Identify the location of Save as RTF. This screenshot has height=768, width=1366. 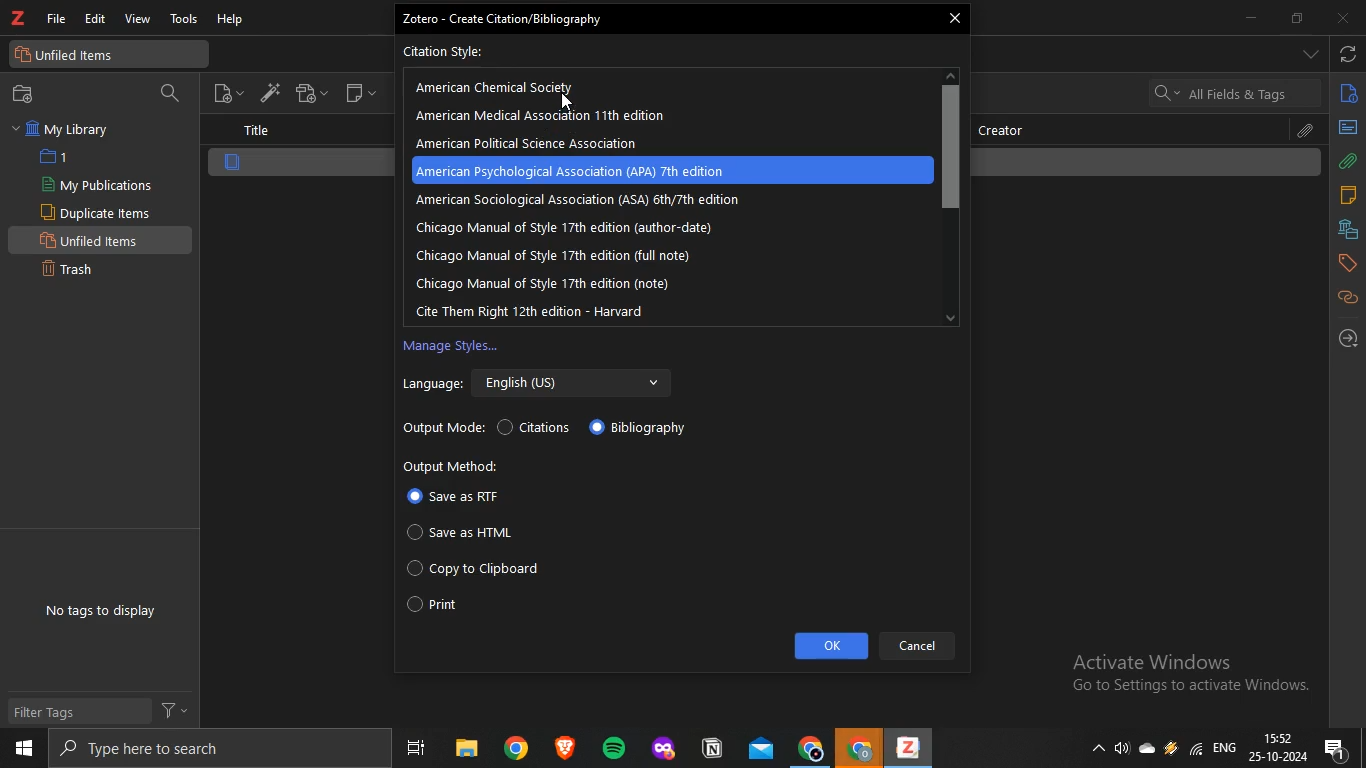
(456, 498).